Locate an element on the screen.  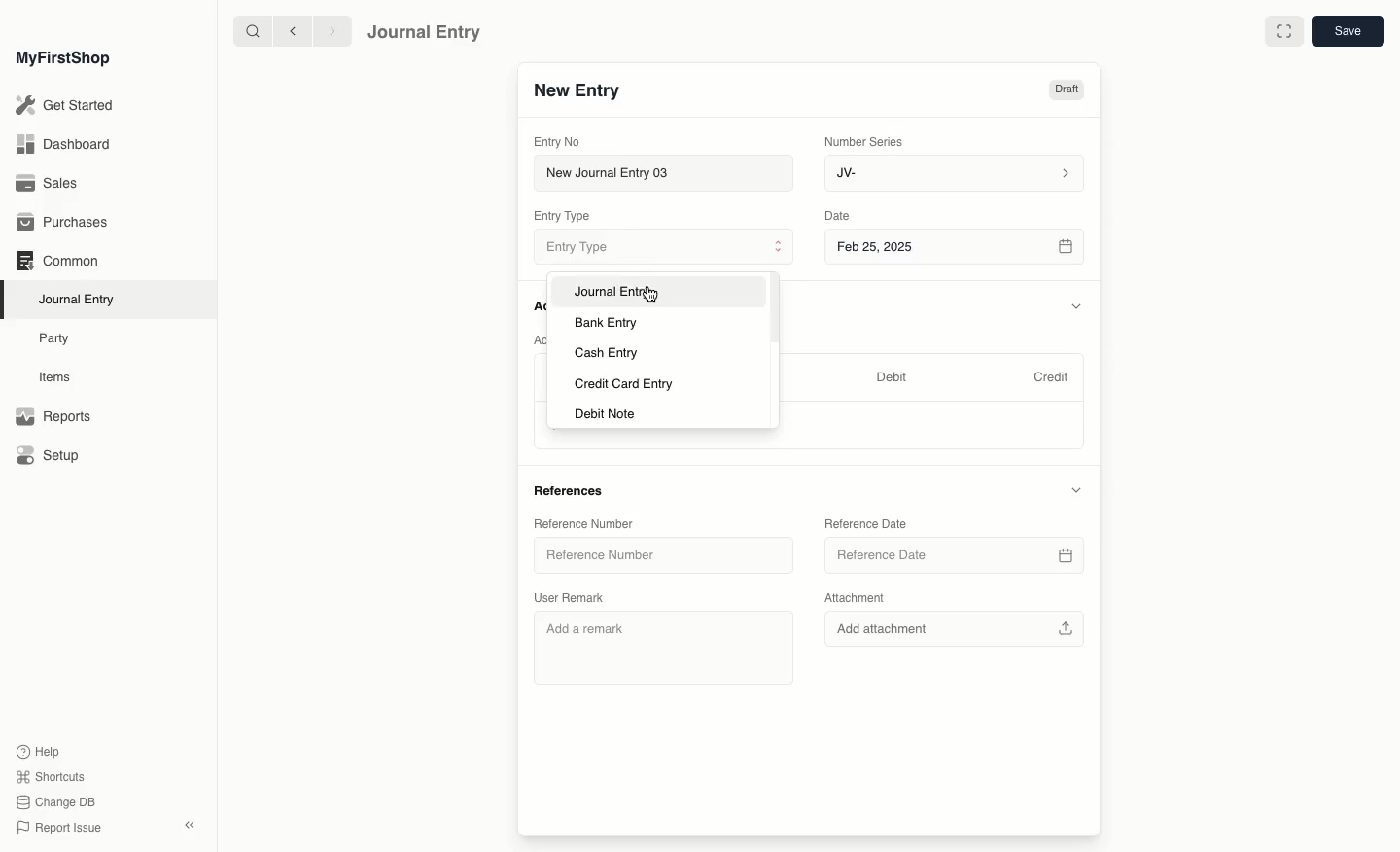
Collapse is located at coordinates (190, 825).